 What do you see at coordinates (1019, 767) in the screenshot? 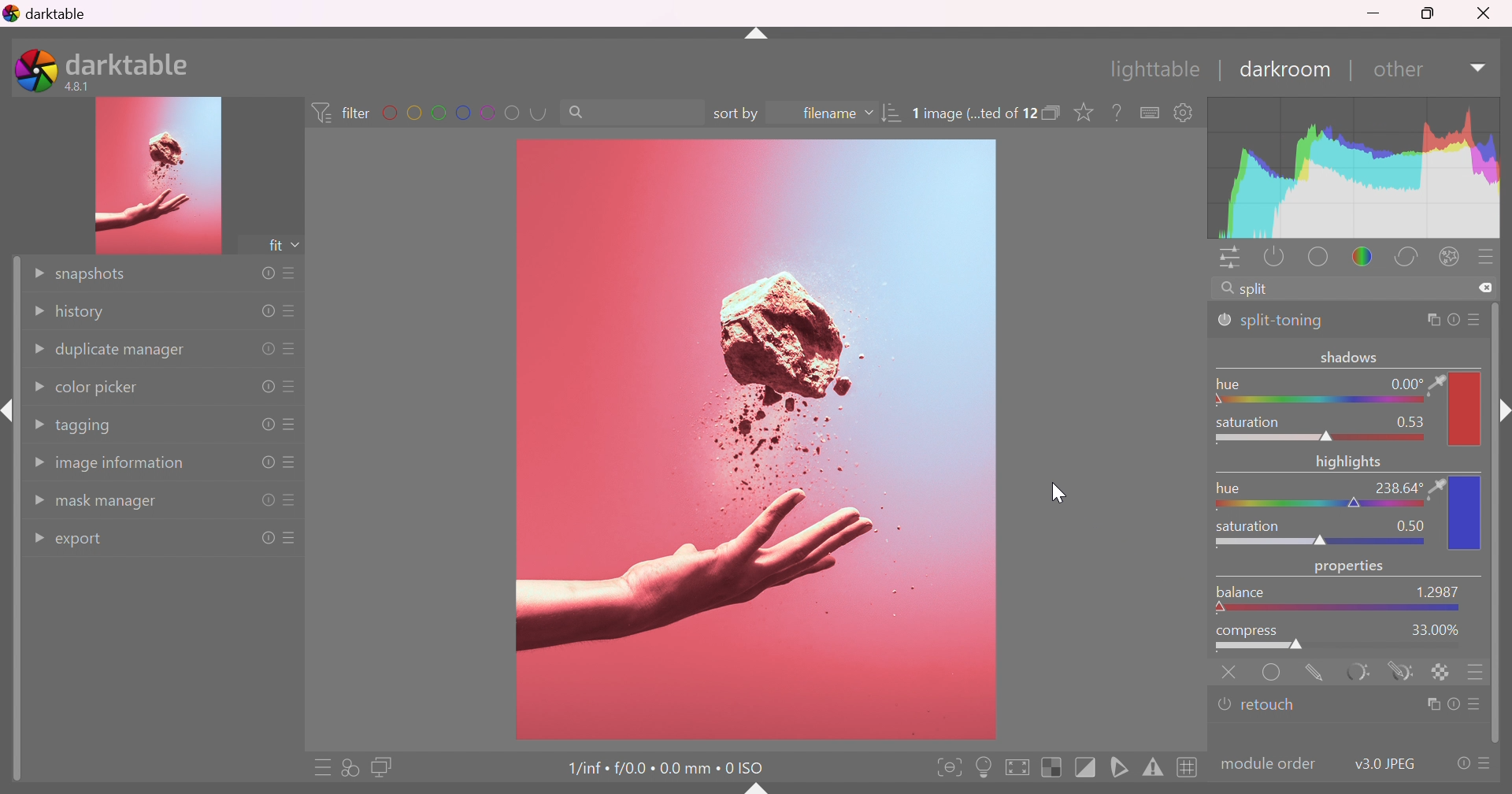
I see `toggle high quality processing, if activated darktable processes image data as it does while exporting` at bounding box center [1019, 767].